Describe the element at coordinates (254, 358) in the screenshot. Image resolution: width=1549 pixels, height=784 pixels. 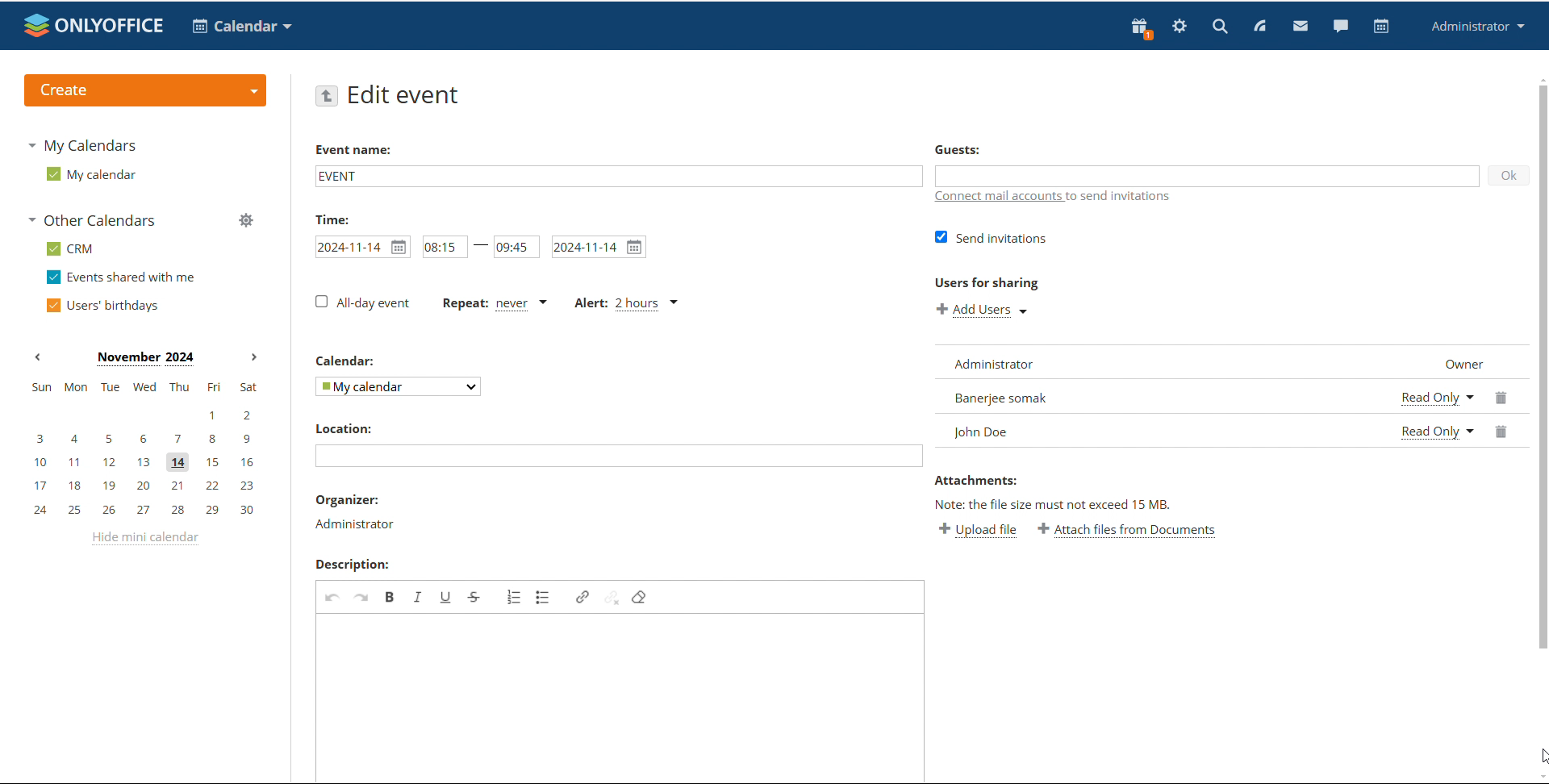
I see `next month` at that location.